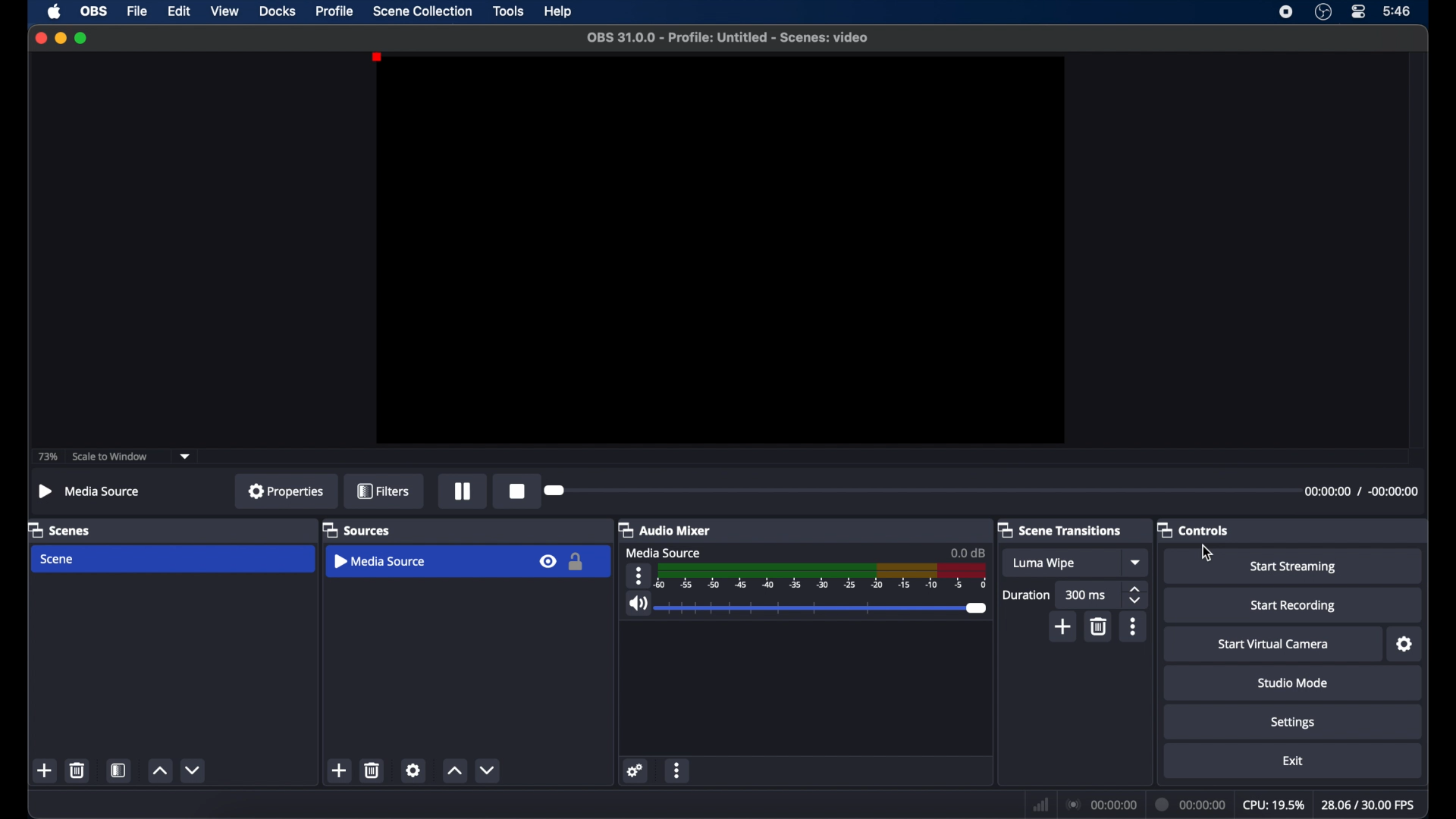 Image resolution: width=1456 pixels, height=819 pixels. Describe the element at coordinates (1040, 805) in the screenshot. I see `network` at that location.